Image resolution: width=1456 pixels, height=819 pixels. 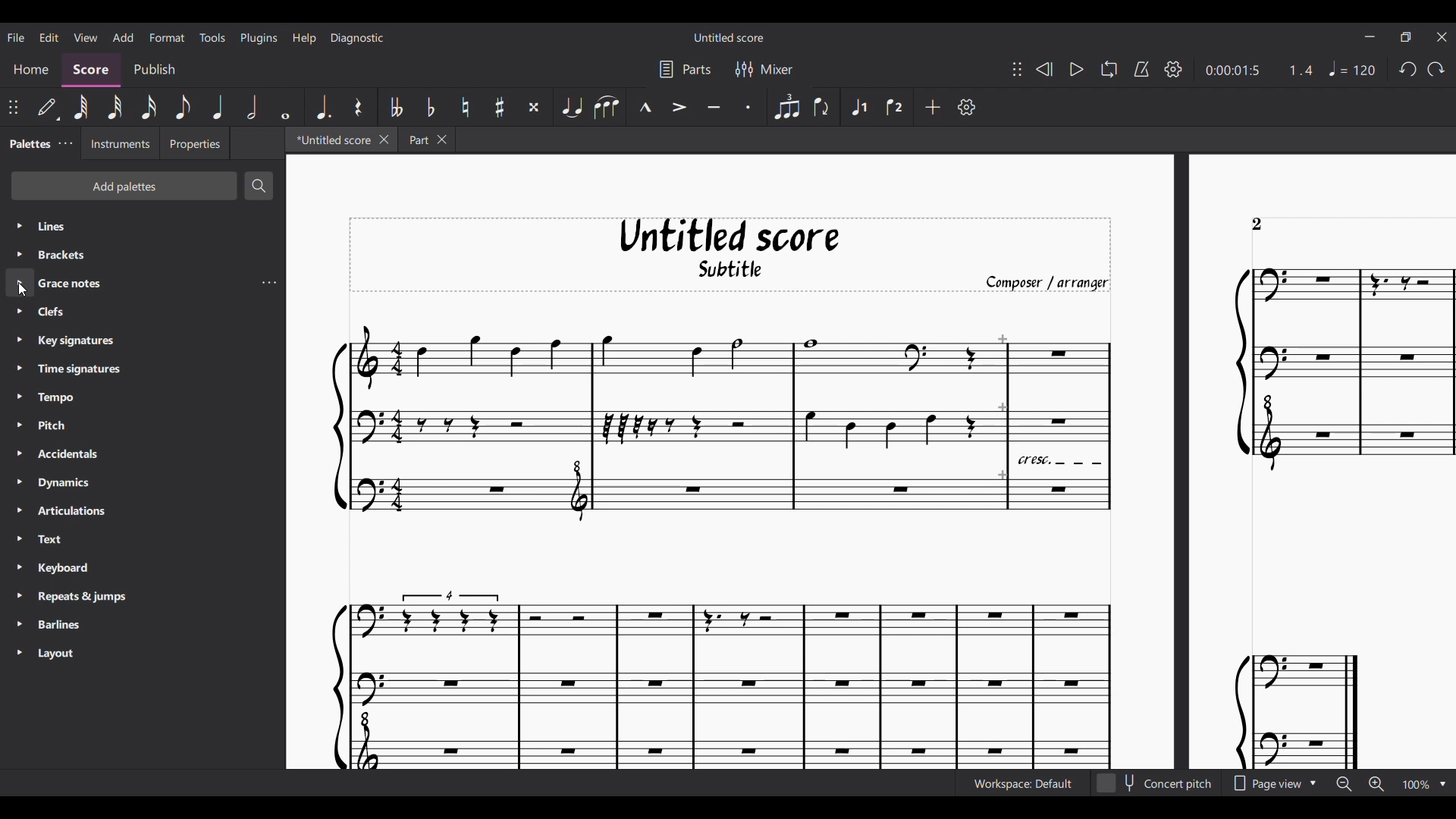 I want to click on Close/Undock Palette tab, so click(x=65, y=143).